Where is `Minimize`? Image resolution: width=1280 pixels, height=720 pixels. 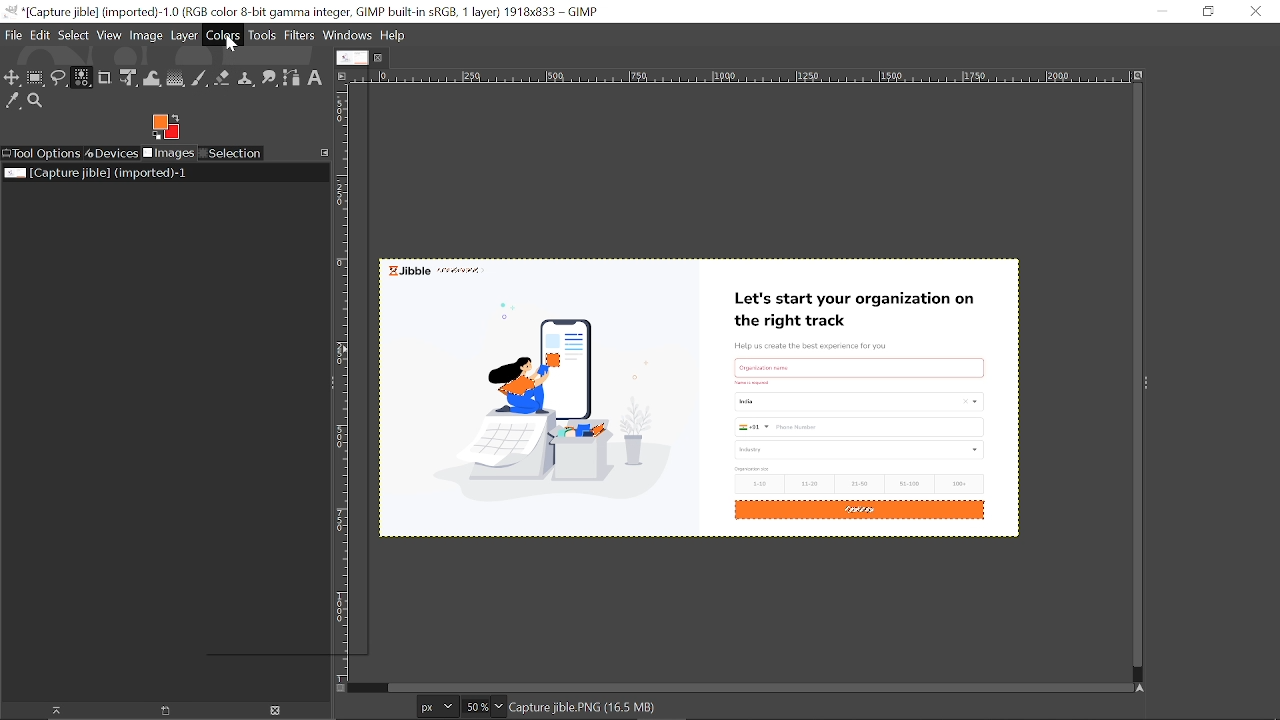
Minimize is located at coordinates (1158, 10).